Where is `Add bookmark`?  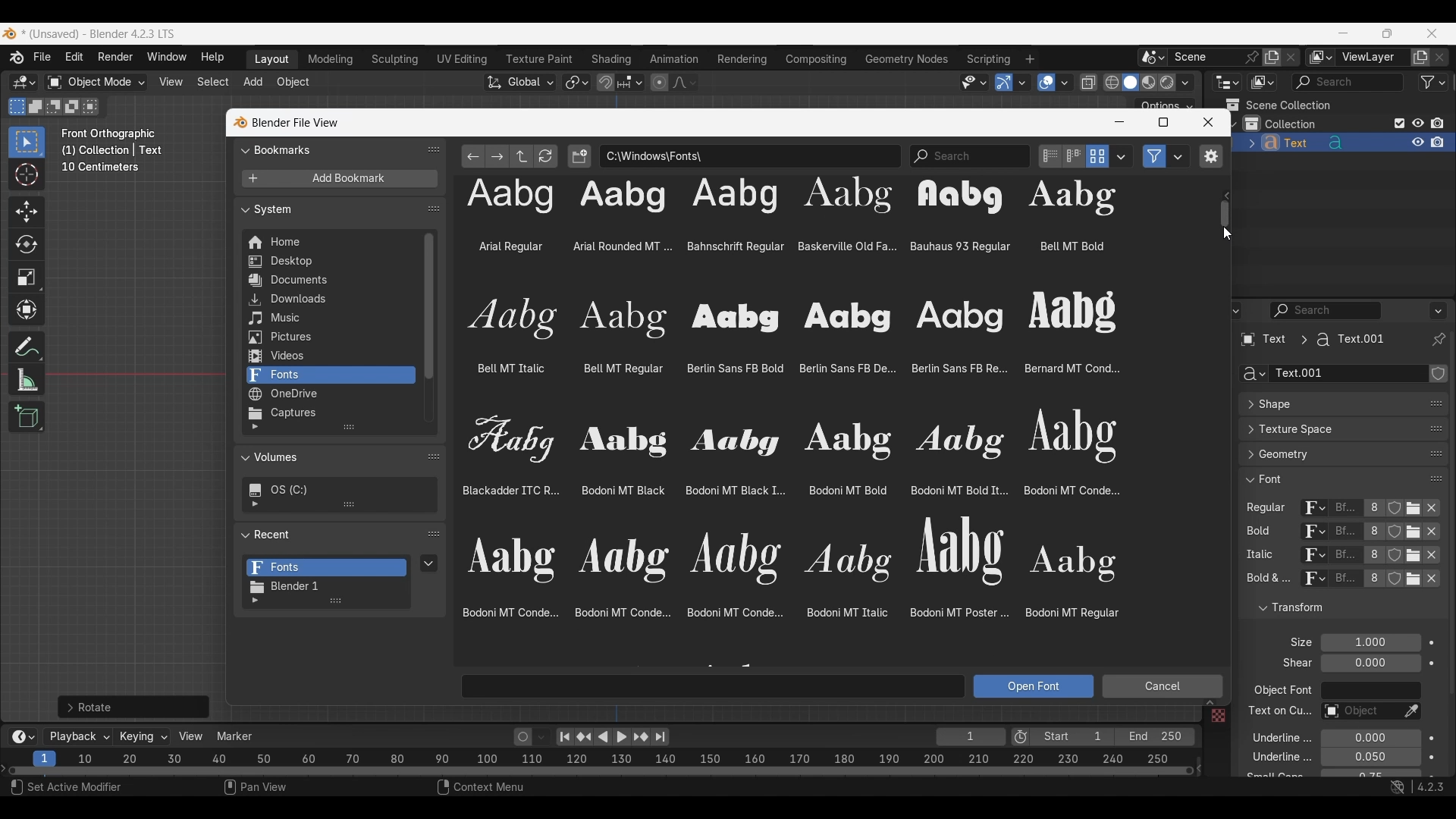 Add bookmark is located at coordinates (339, 179).